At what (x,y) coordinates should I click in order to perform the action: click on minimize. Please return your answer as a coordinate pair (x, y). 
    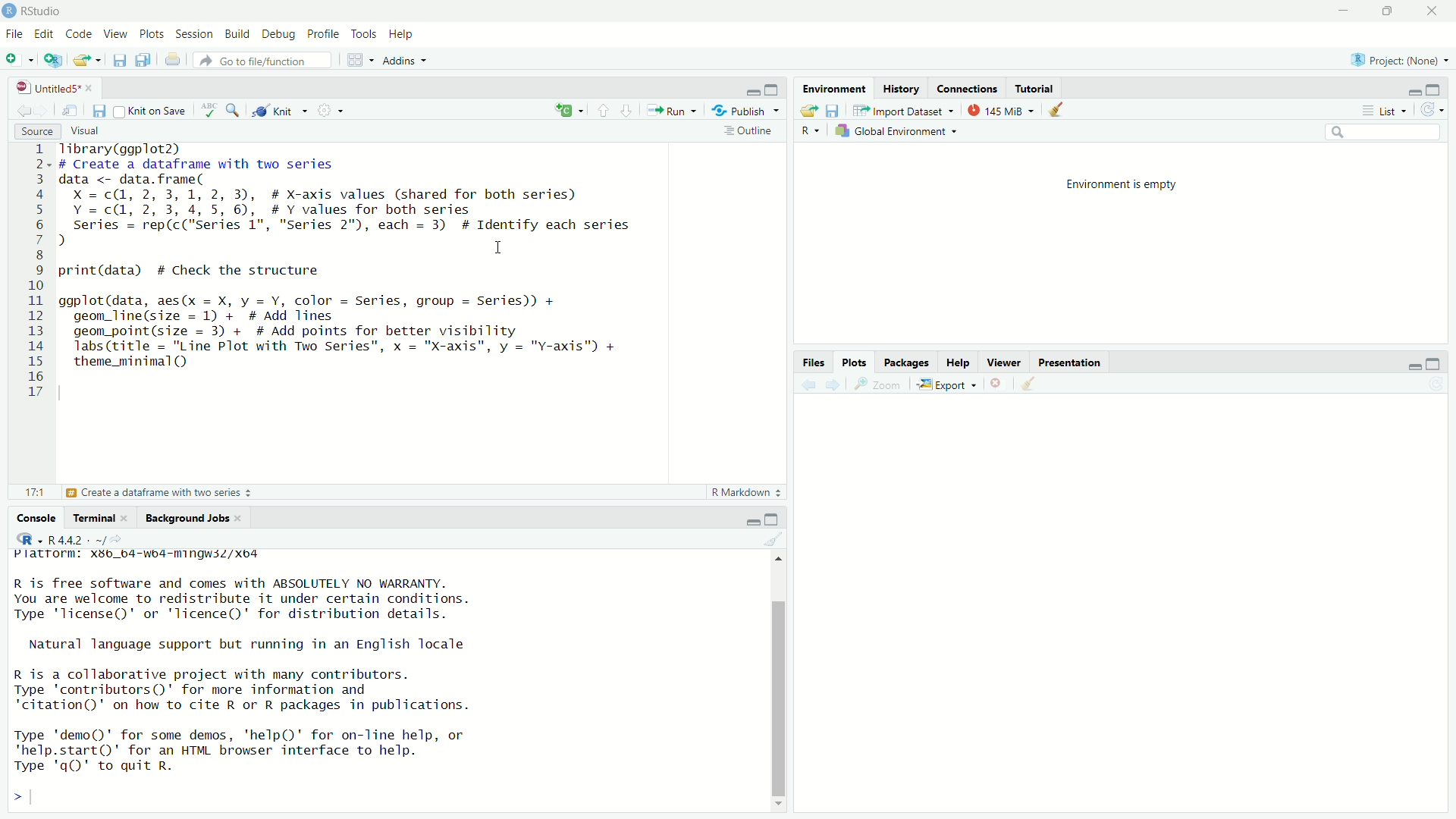
    Looking at the image, I should click on (752, 519).